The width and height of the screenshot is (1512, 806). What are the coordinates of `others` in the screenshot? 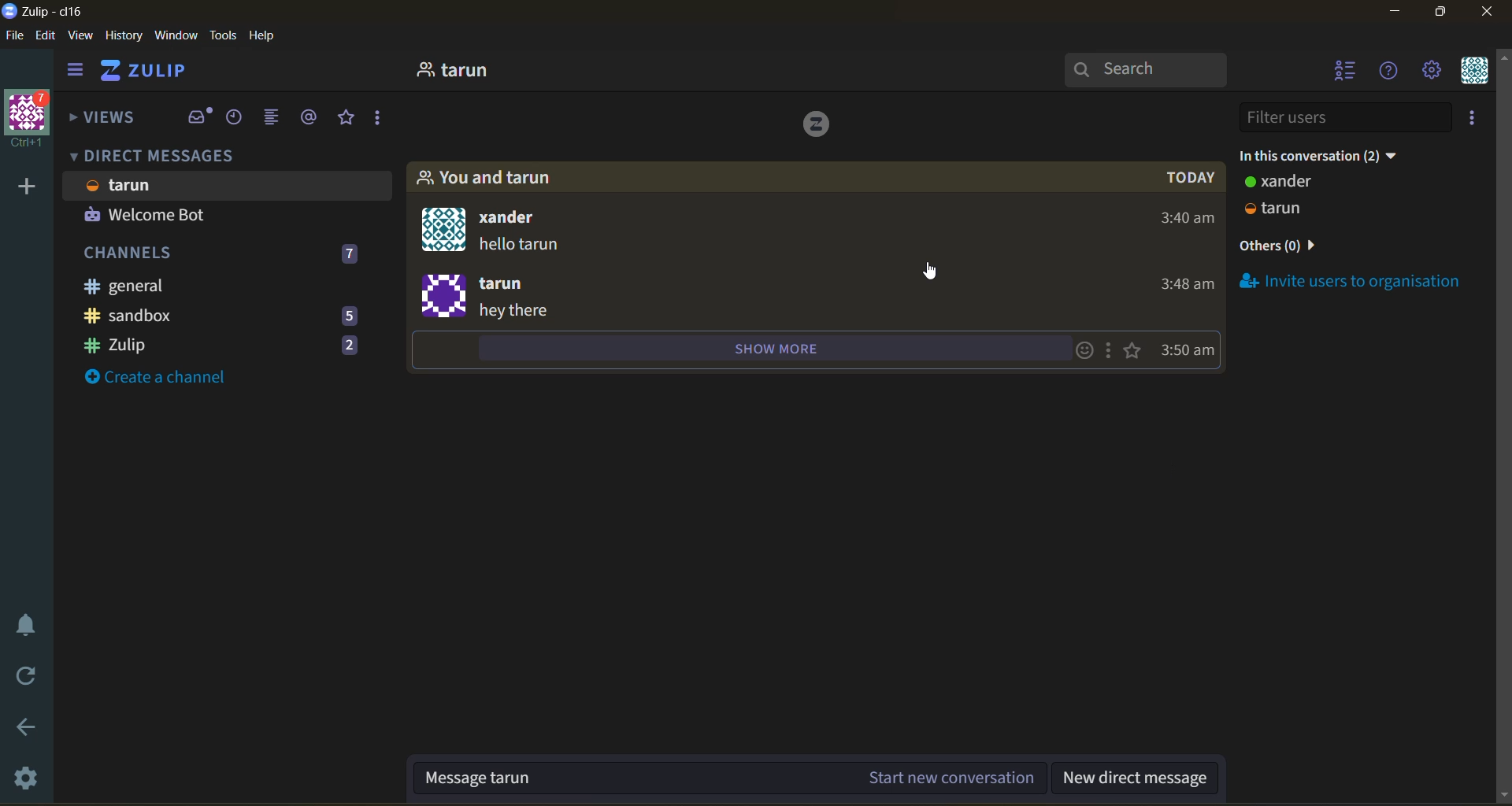 It's located at (1284, 247).